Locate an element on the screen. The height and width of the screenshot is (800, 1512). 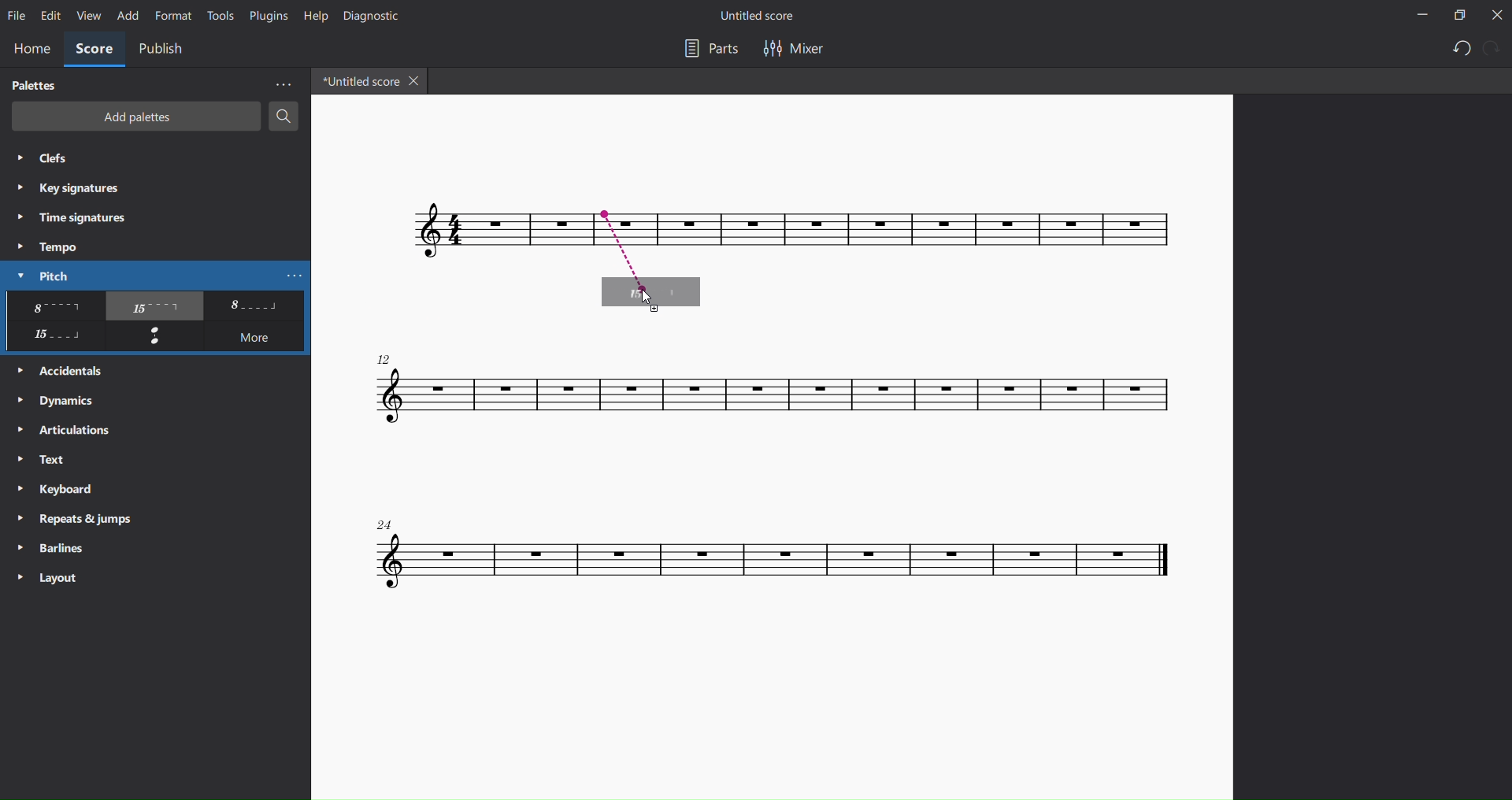
part is located at coordinates (710, 52).